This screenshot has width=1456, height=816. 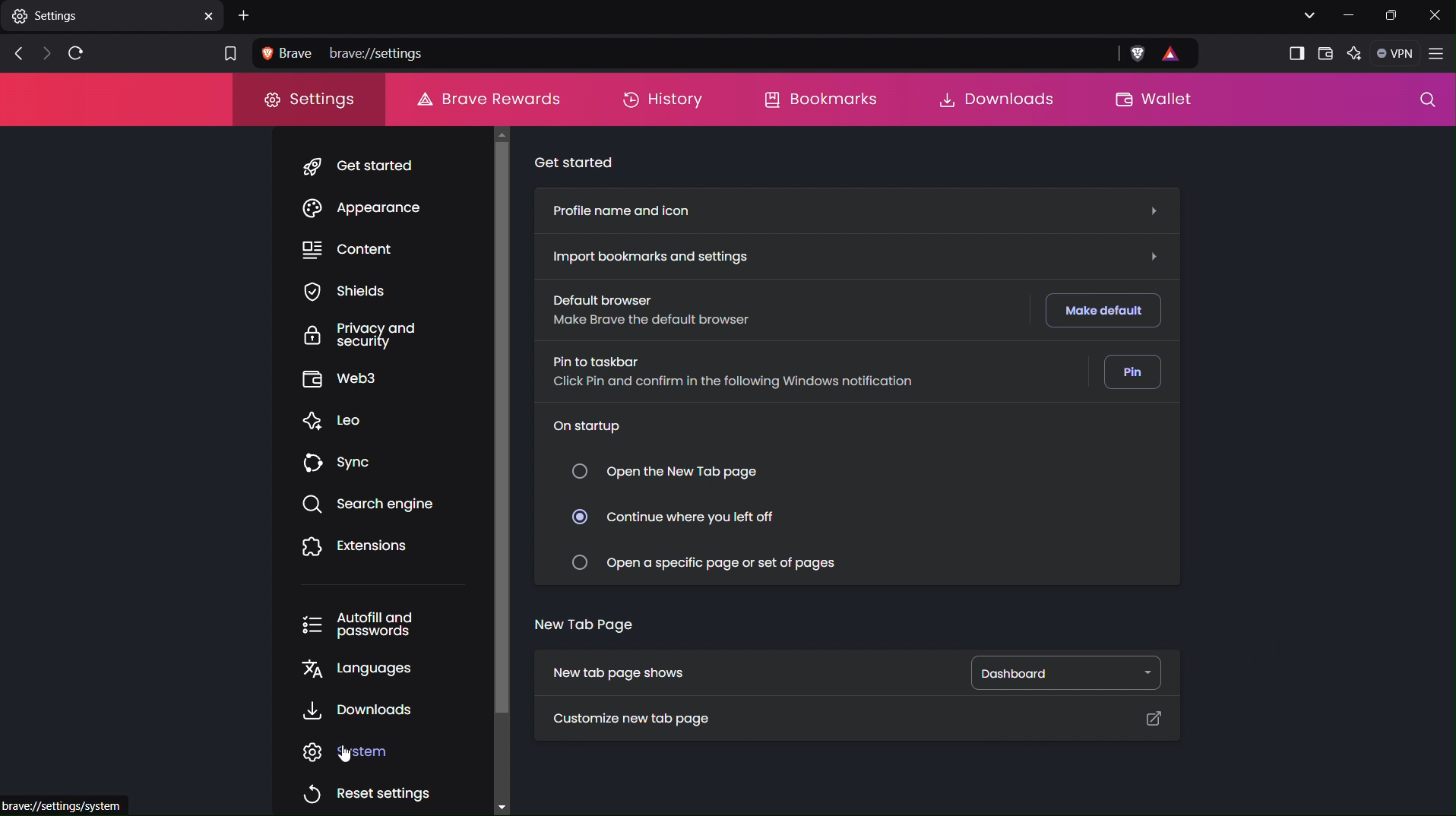 What do you see at coordinates (676, 312) in the screenshot?
I see `Default browser` at bounding box center [676, 312].